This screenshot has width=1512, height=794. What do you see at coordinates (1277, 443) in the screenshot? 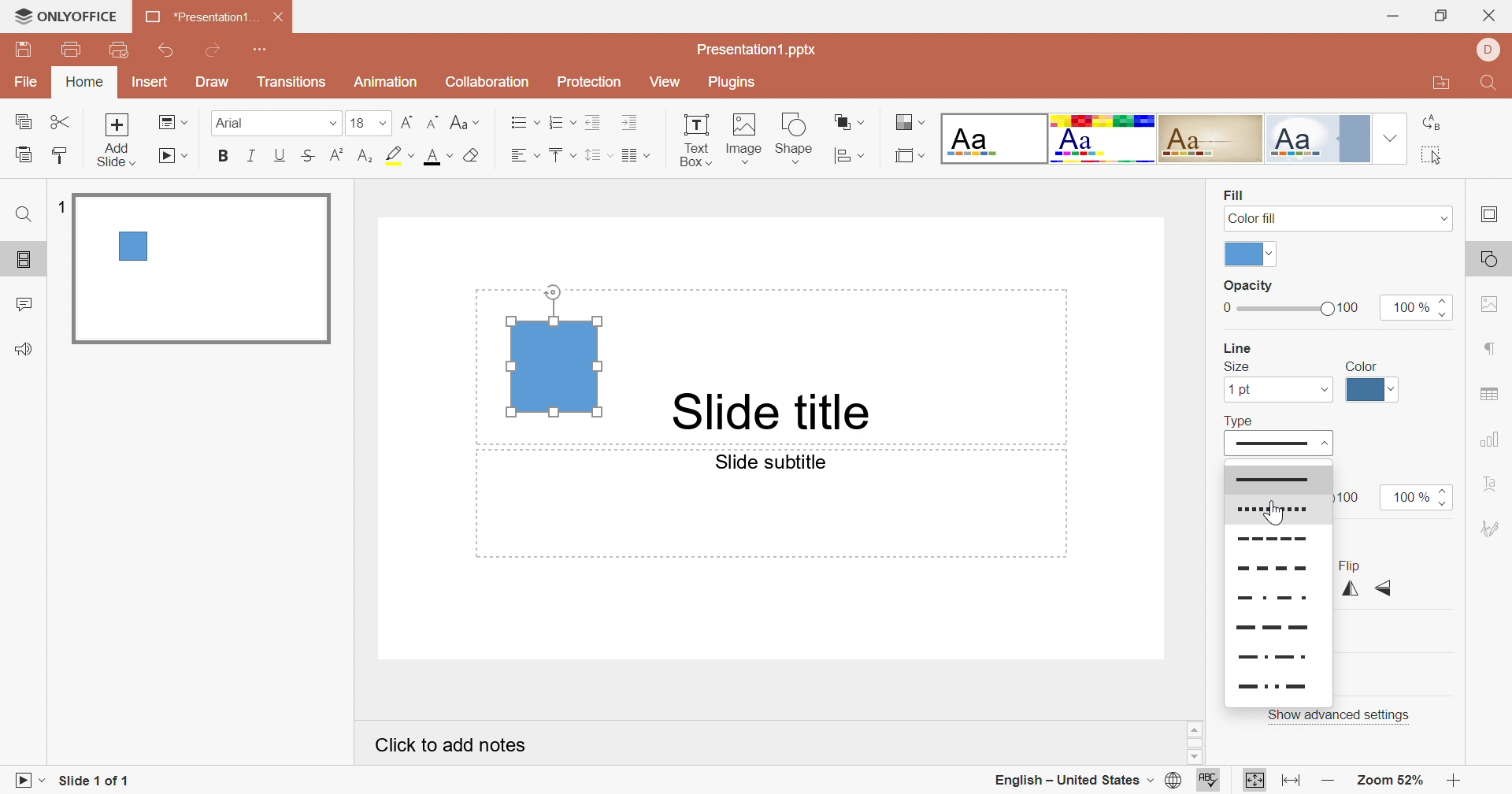
I see `Slide` at bounding box center [1277, 443].